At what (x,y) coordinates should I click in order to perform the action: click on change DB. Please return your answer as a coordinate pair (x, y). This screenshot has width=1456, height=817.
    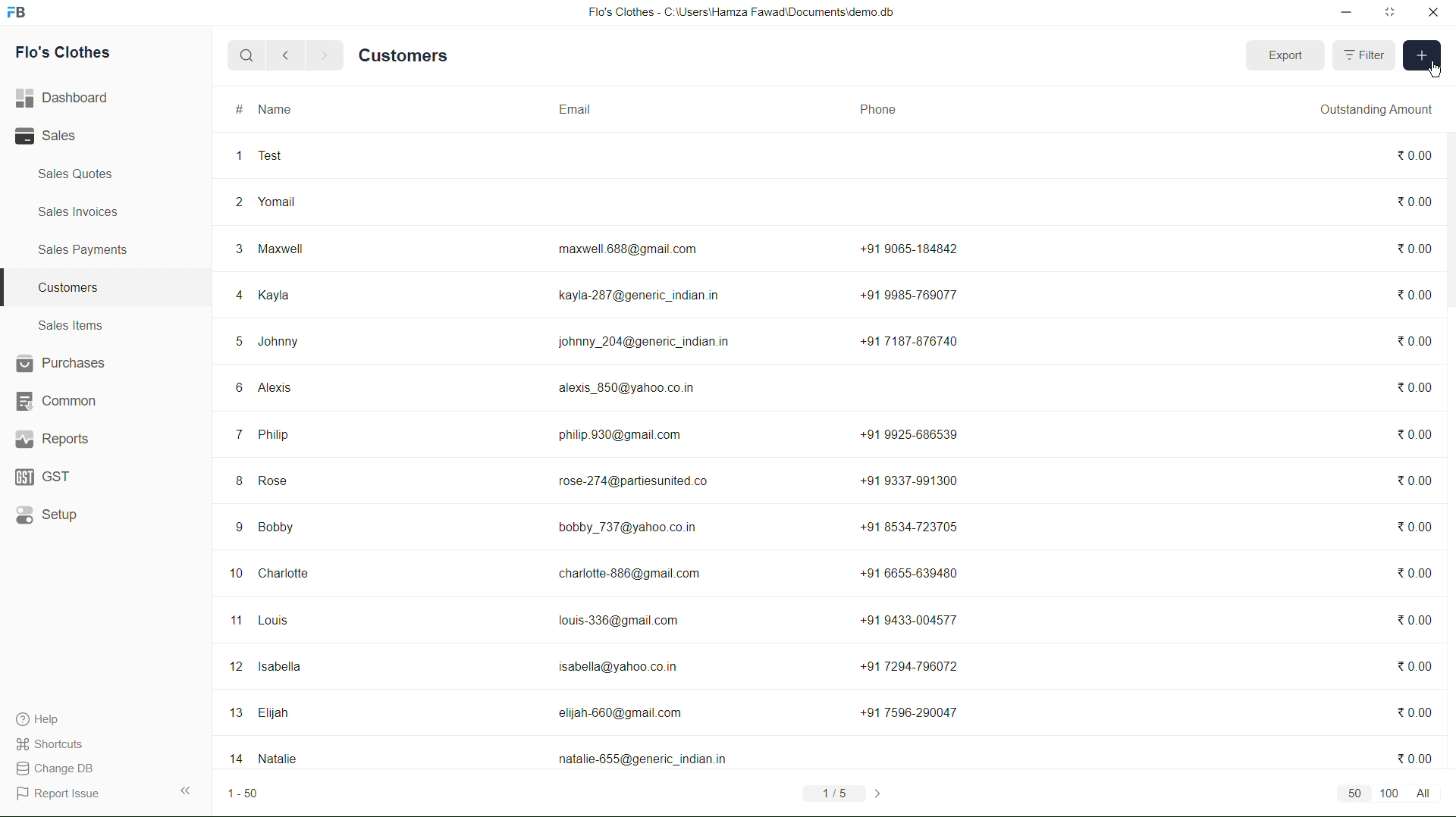
    Looking at the image, I should click on (55, 768).